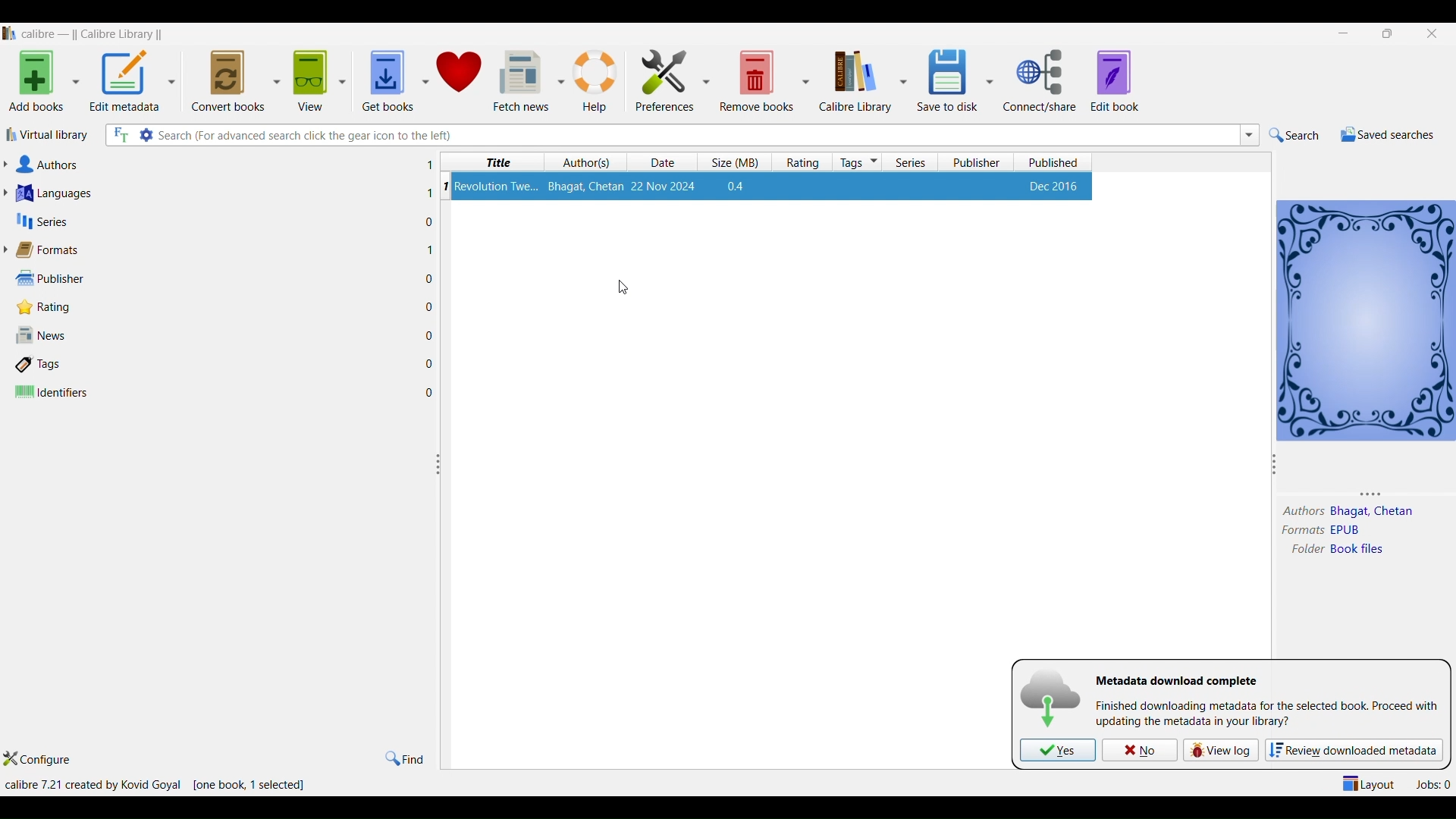 The image size is (1456, 819). Describe the element at coordinates (439, 467) in the screenshot. I see `resize` at that location.